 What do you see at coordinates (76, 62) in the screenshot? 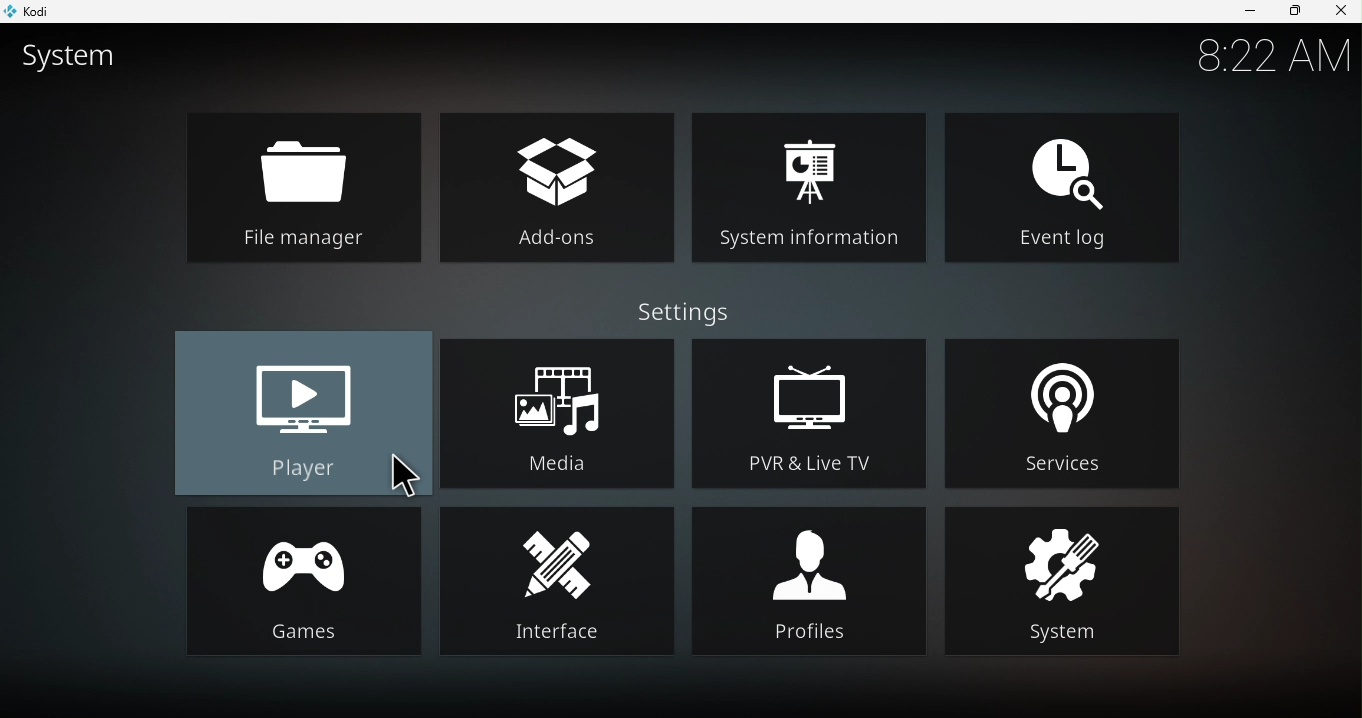
I see `System` at bounding box center [76, 62].